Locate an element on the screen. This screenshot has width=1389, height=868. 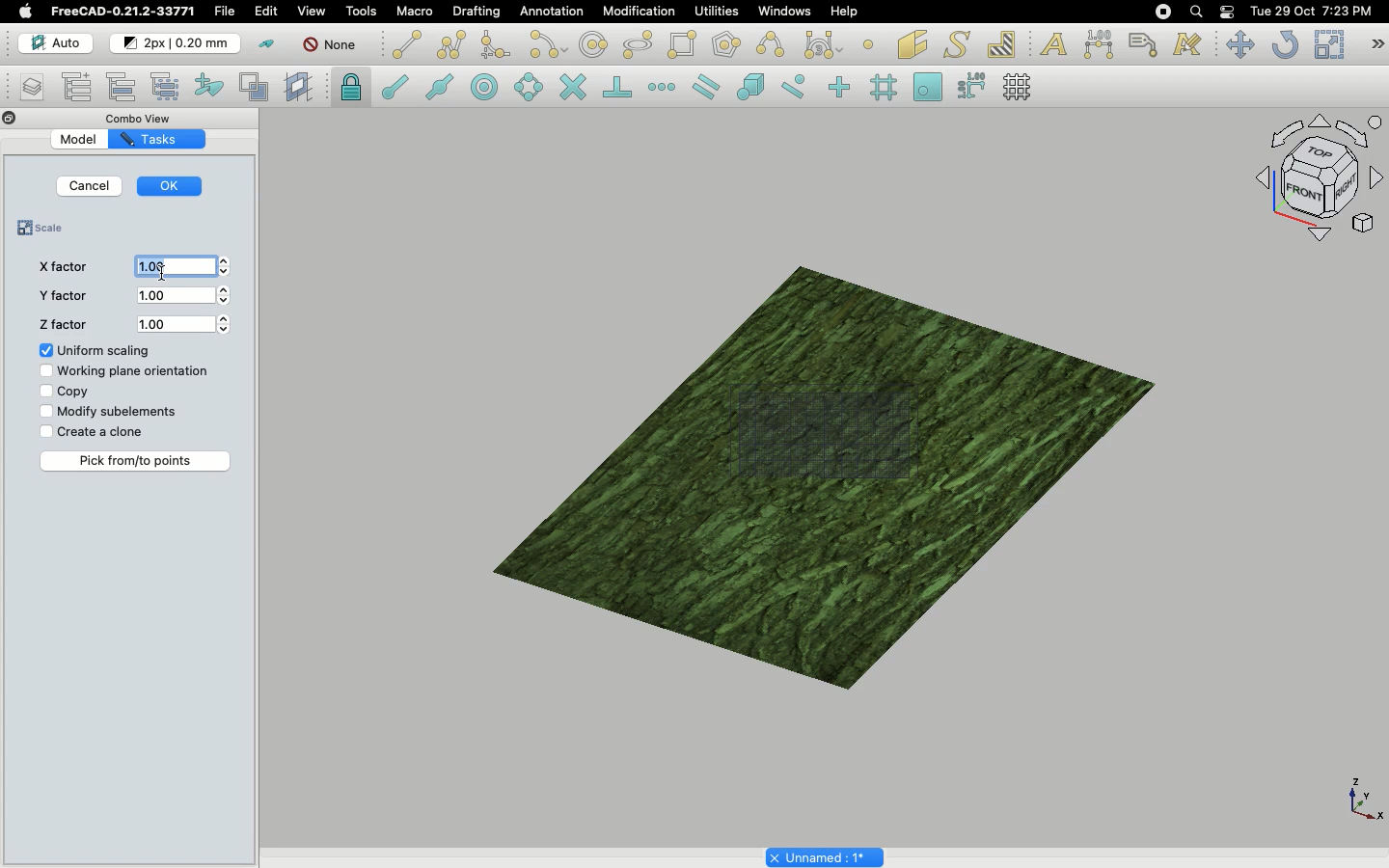
None is located at coordinates (329, 46).